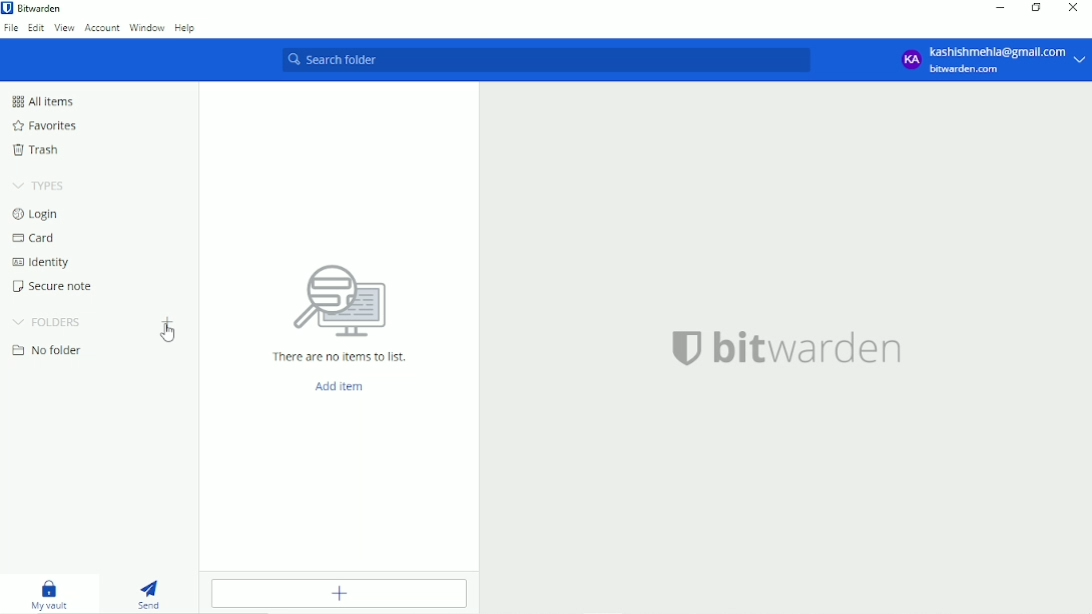  Describe the element at coordinates (41, 186) in the screenshot. I see `Types` at that location.